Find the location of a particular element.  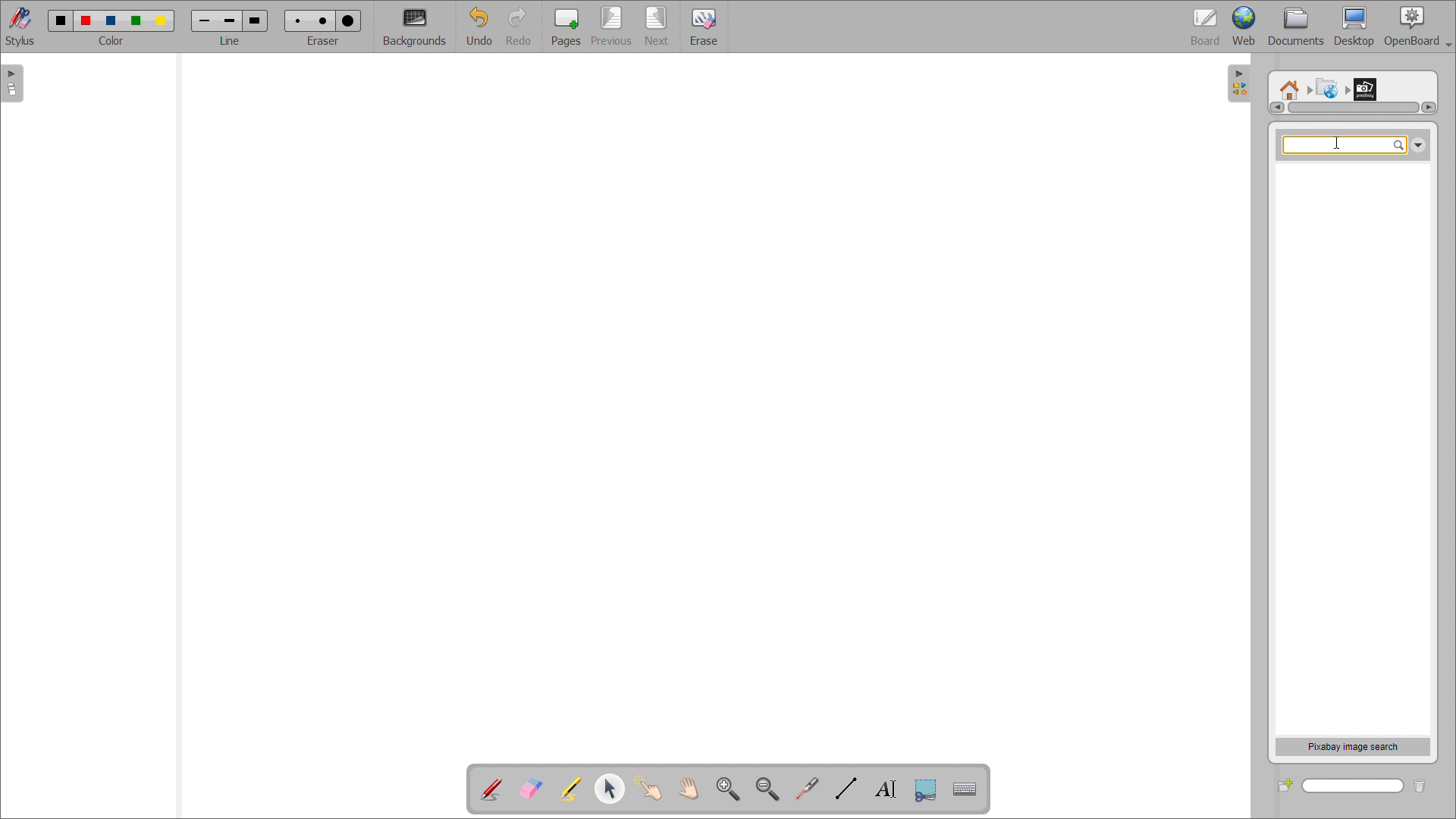

add annotation is located at coordinates (491, 789).